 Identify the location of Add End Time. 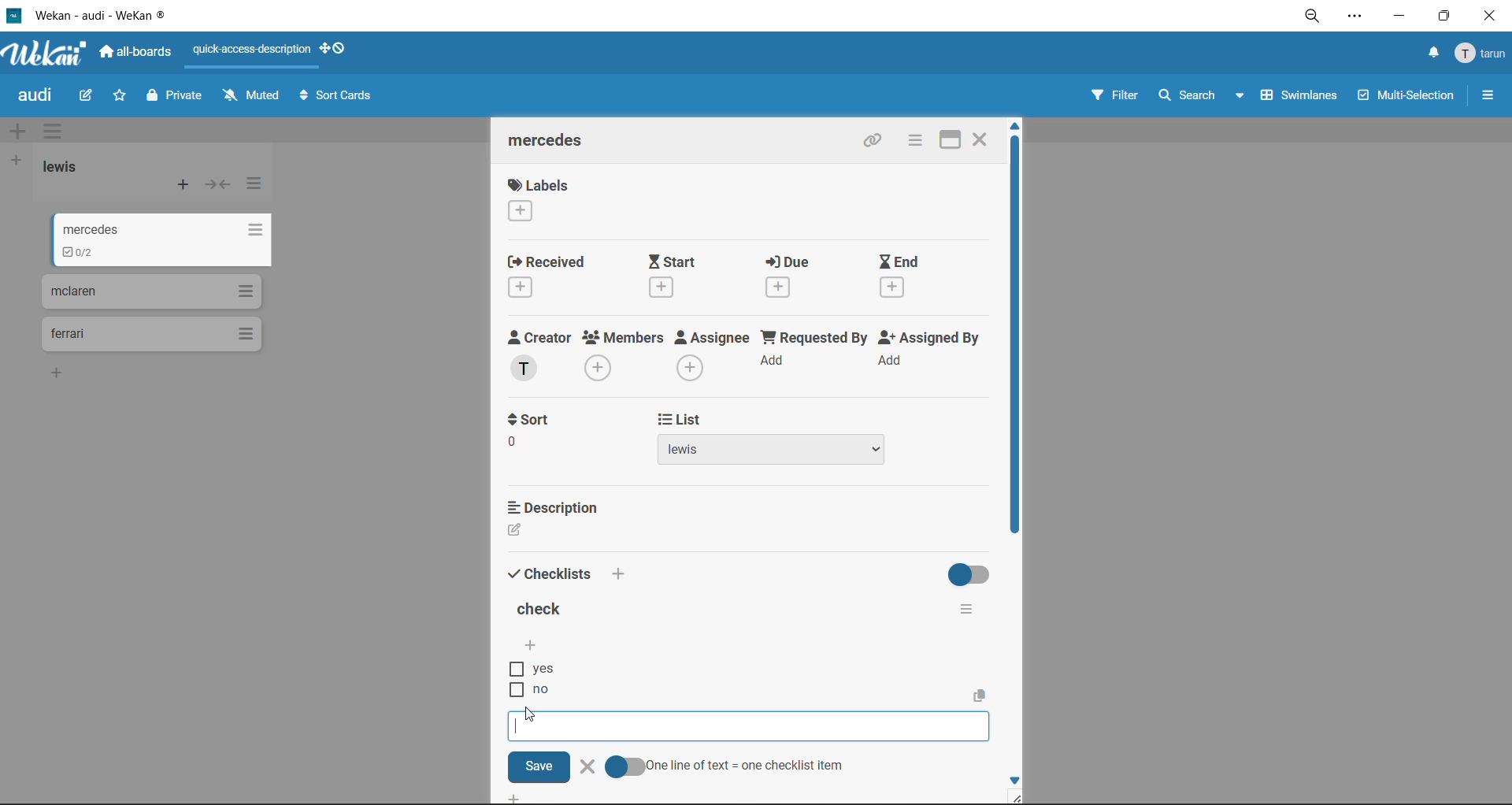
(898, 287).